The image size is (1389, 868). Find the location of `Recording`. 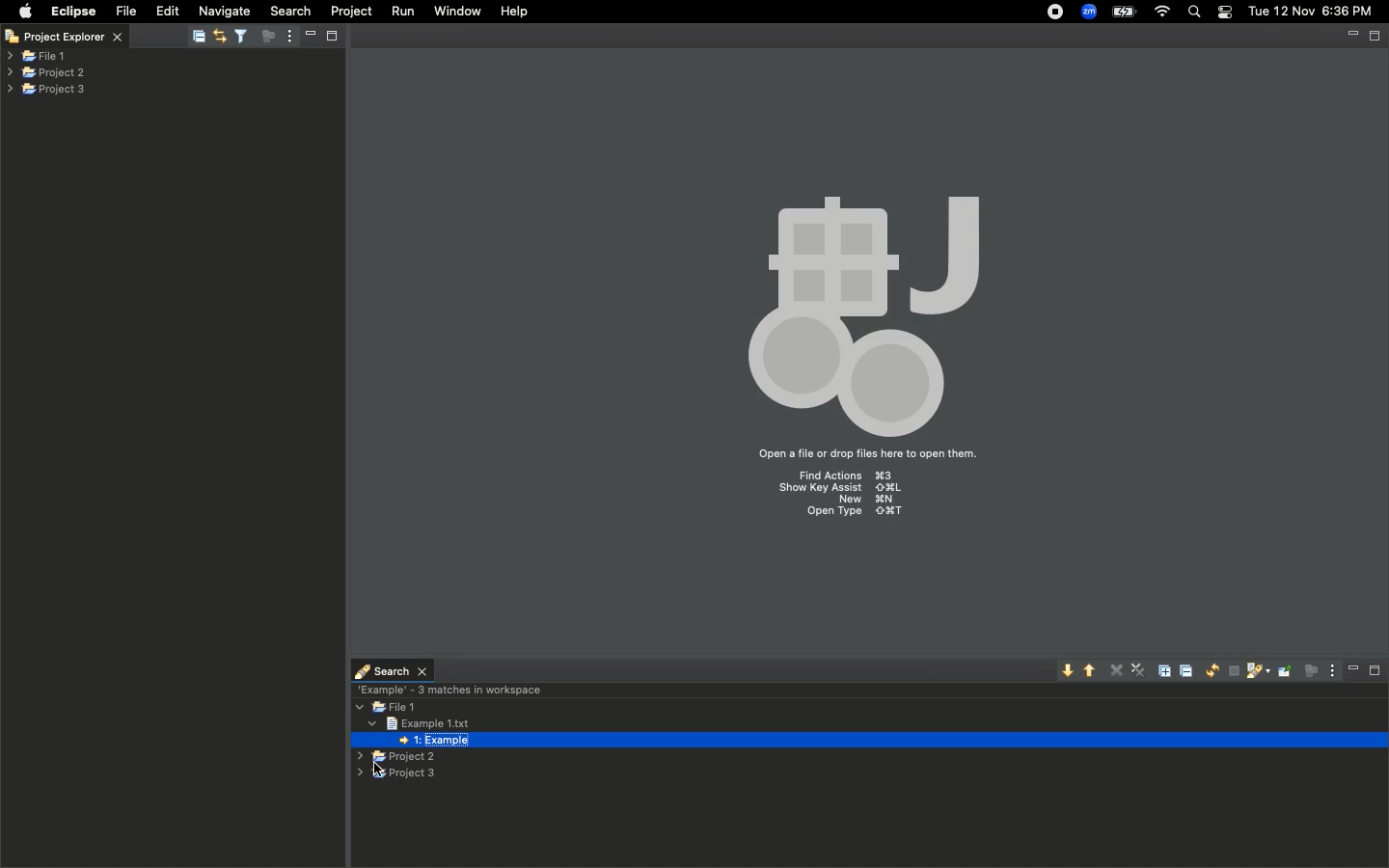

Recording is located at coordinates (1056, 14).